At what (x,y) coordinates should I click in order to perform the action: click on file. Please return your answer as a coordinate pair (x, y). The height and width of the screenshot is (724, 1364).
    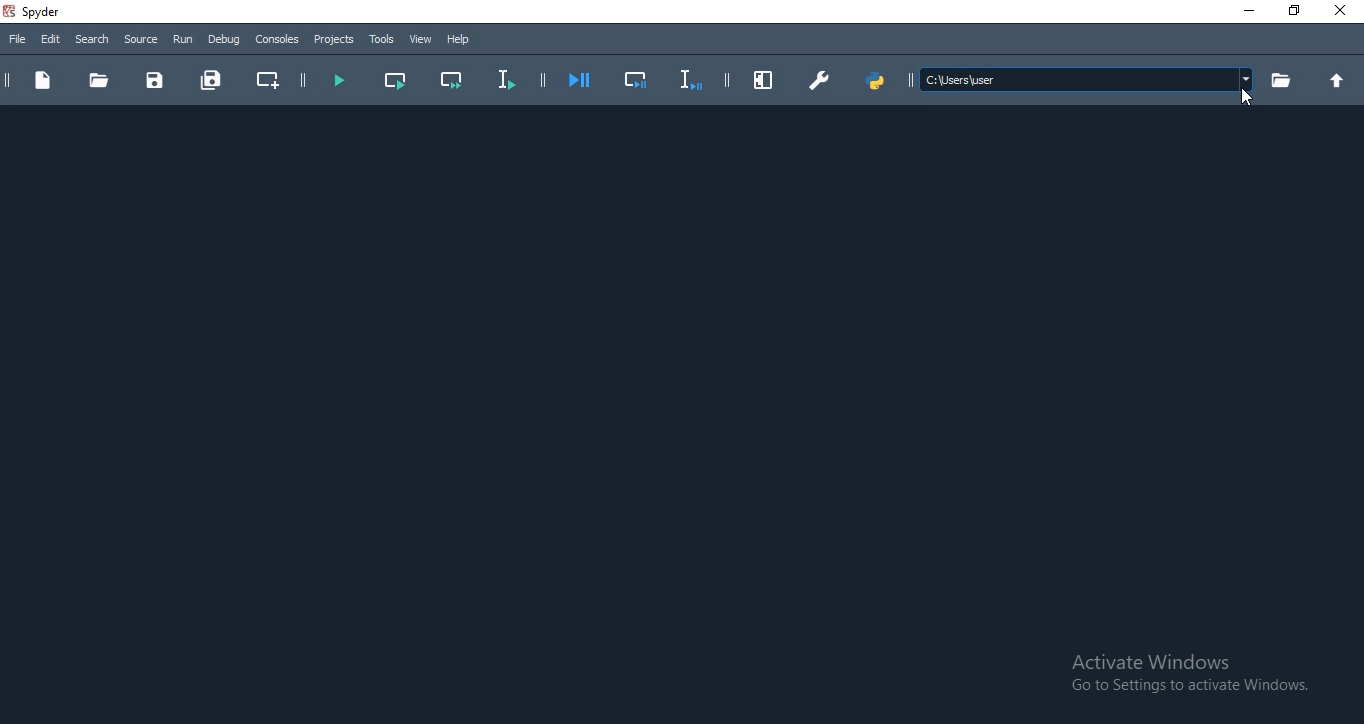
    Looking at the image, I should click on (19, 41).